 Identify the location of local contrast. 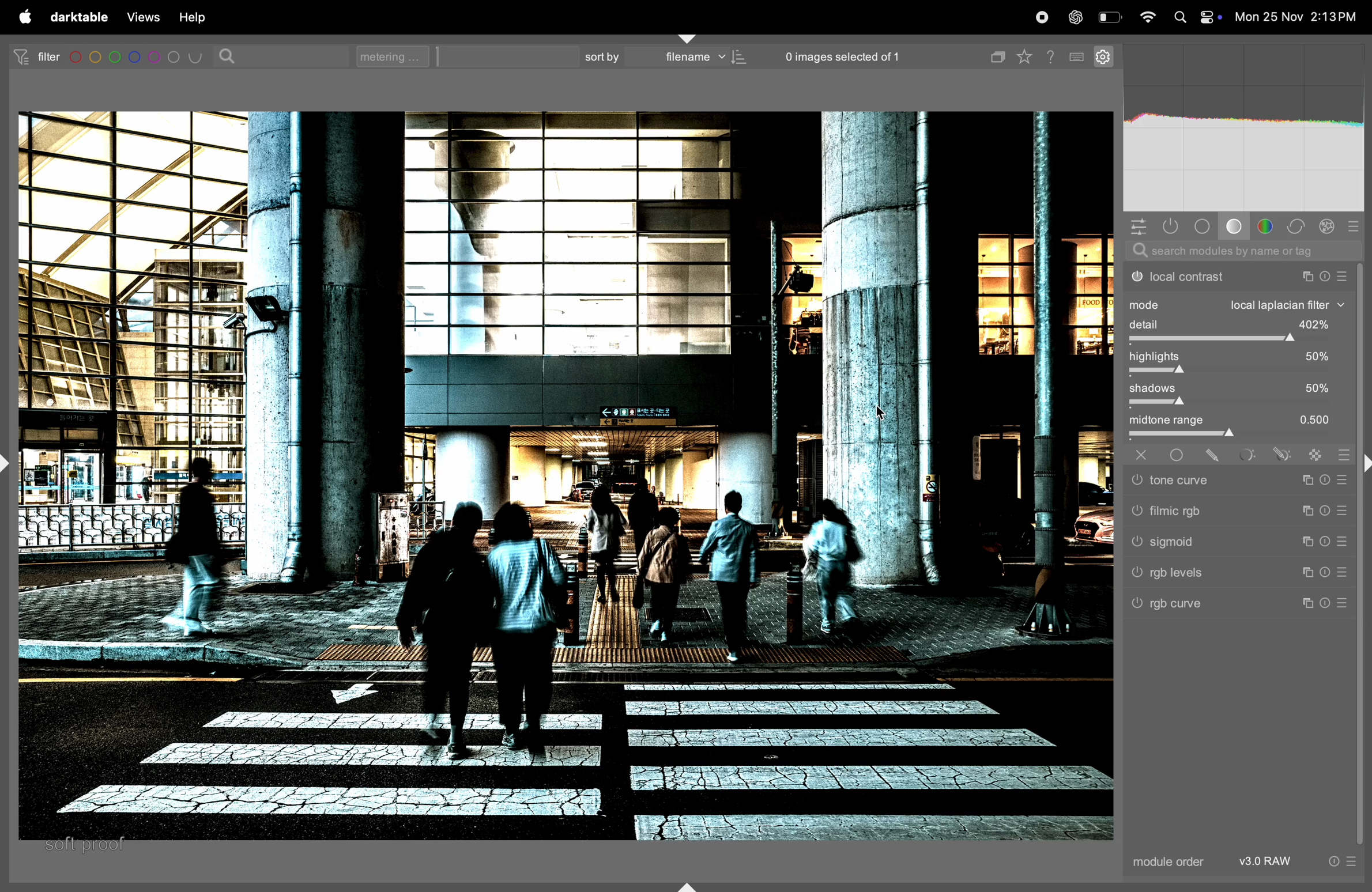
(1235, 276).